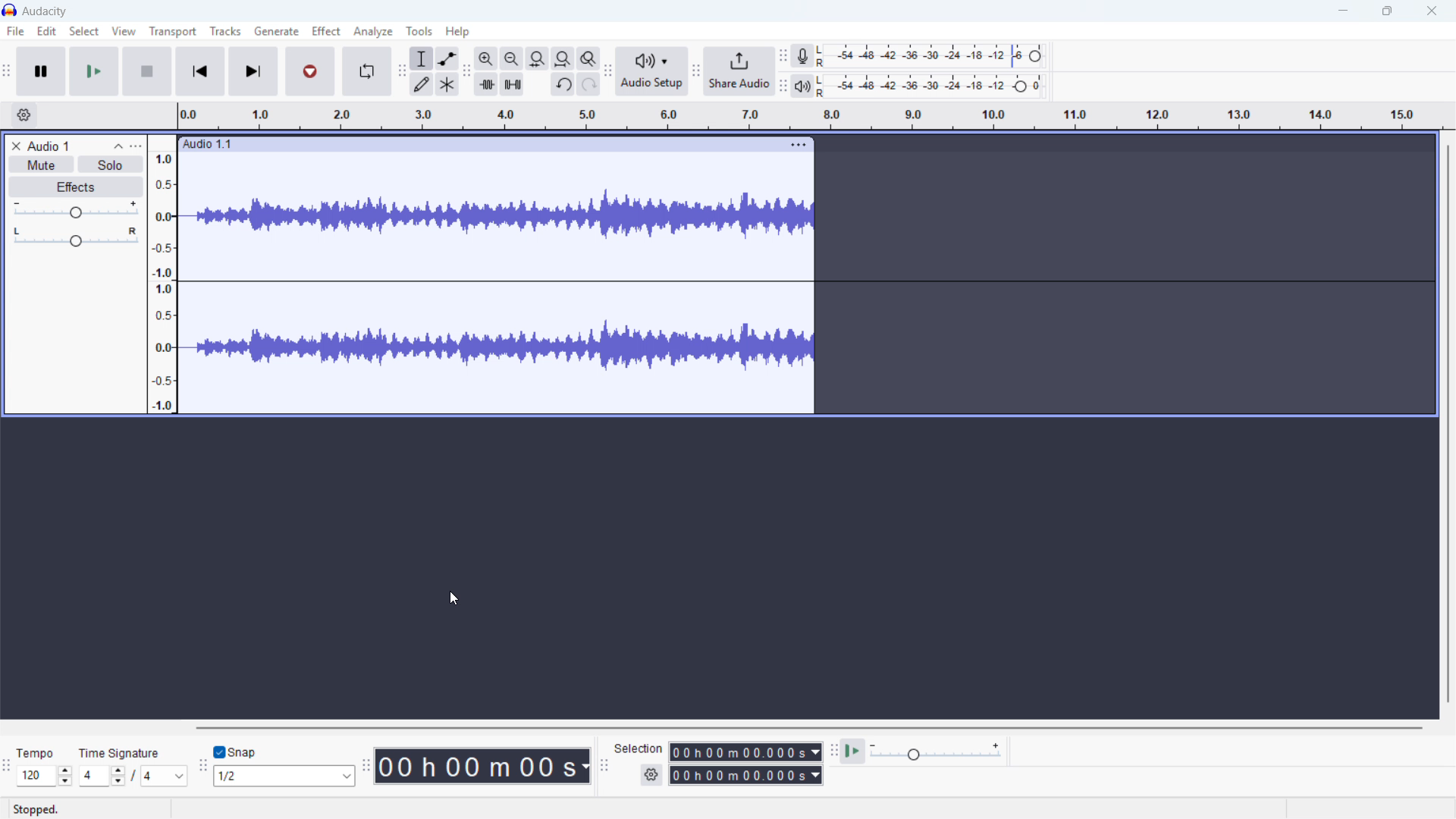  Describe the element at coordinates (458, 31) in the screenshot. I see `help ` at that location.